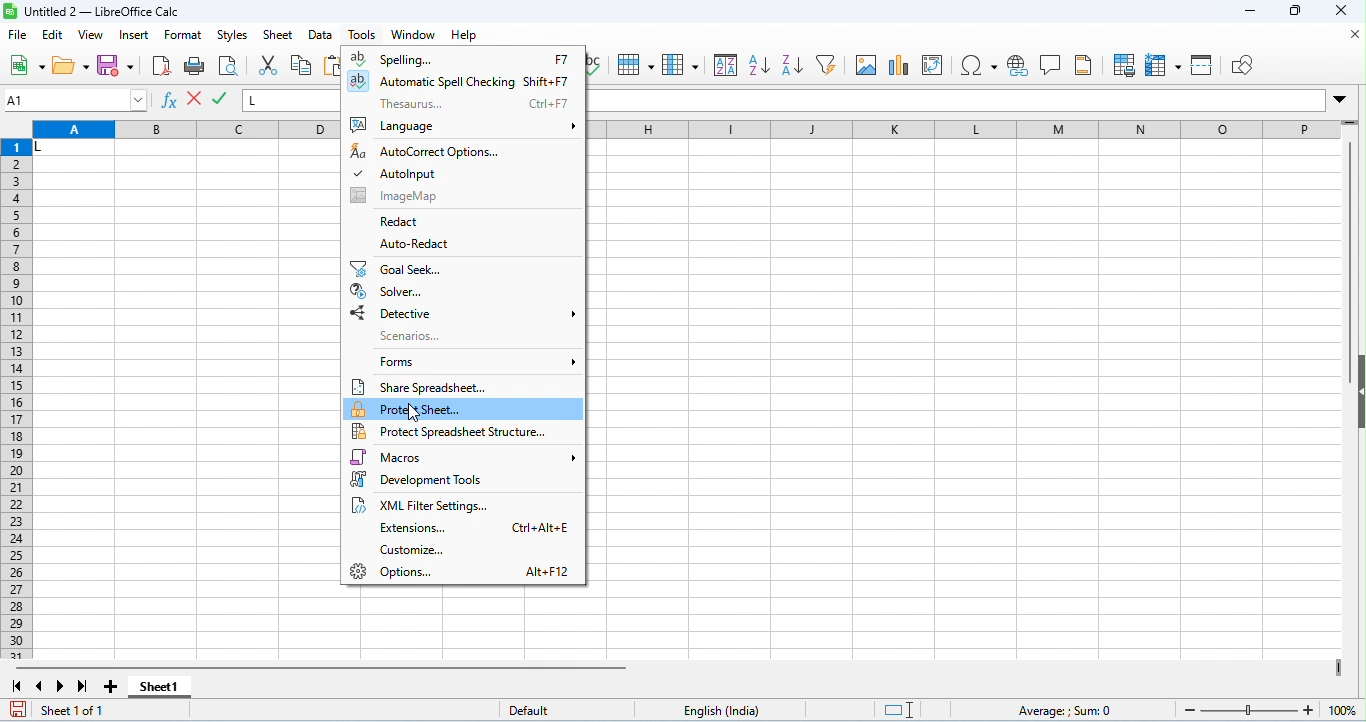 The width and height of the screenshot is (1366, 722). I want to click on close, so click(1355, 35).